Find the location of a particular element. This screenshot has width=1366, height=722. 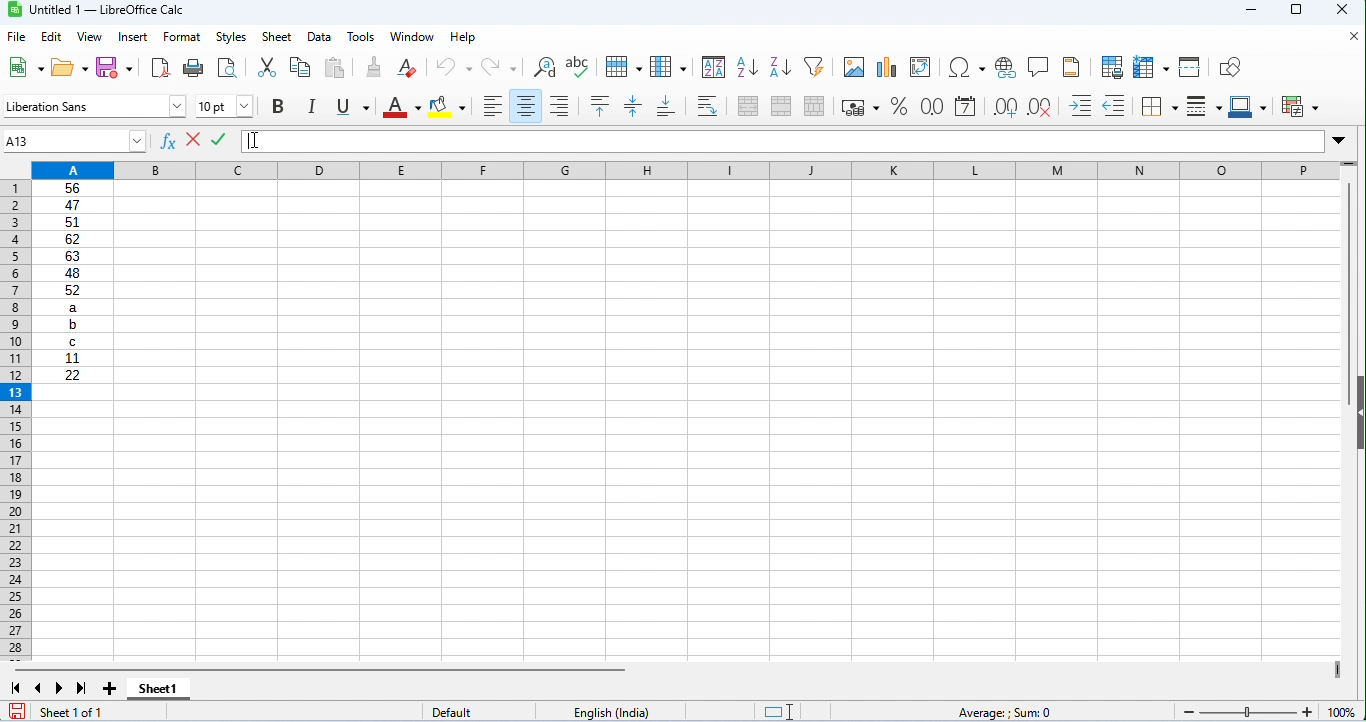

56 is located at coordinates (73, 188).